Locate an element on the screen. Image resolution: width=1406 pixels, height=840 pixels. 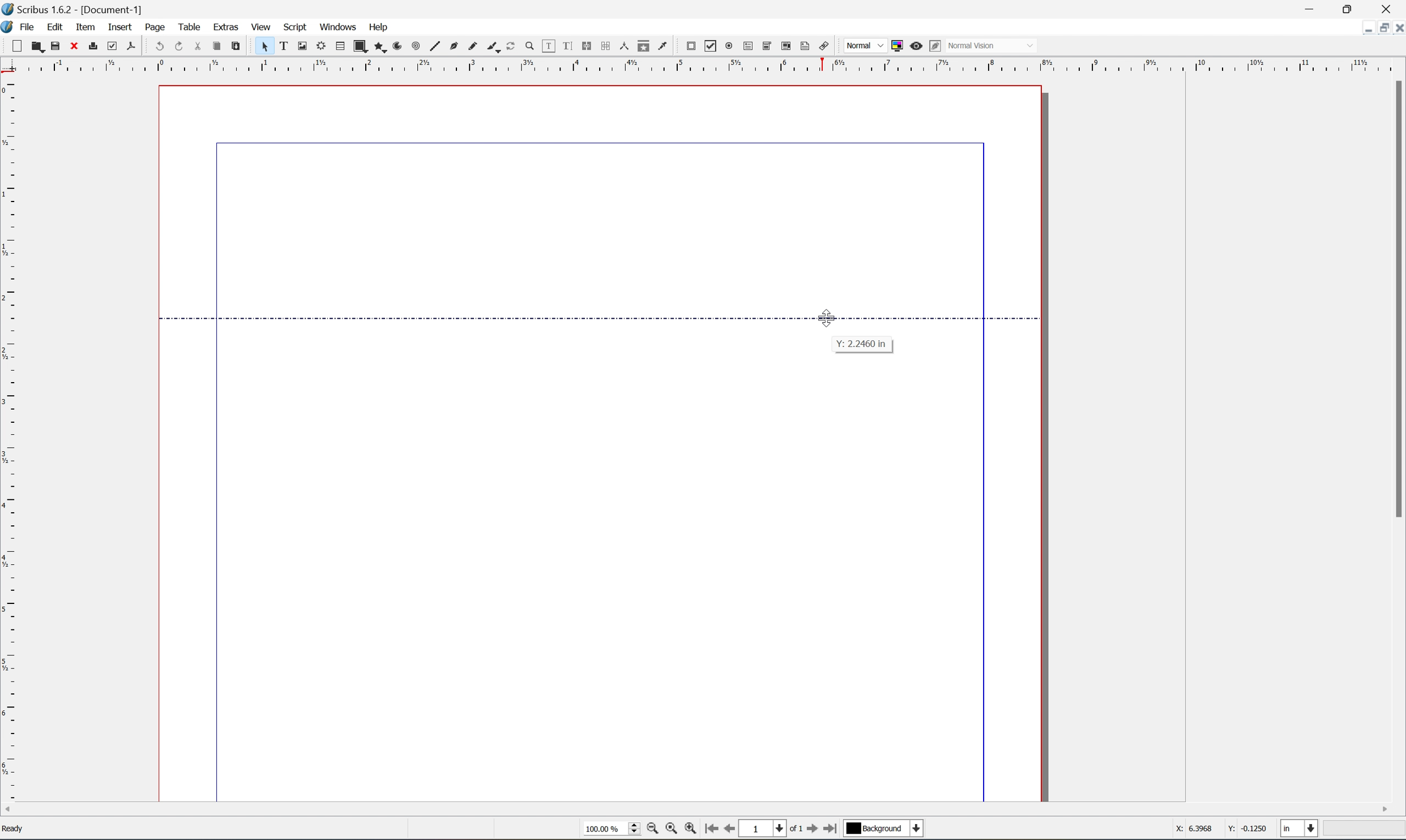
page is located at coordinates (148, 26).